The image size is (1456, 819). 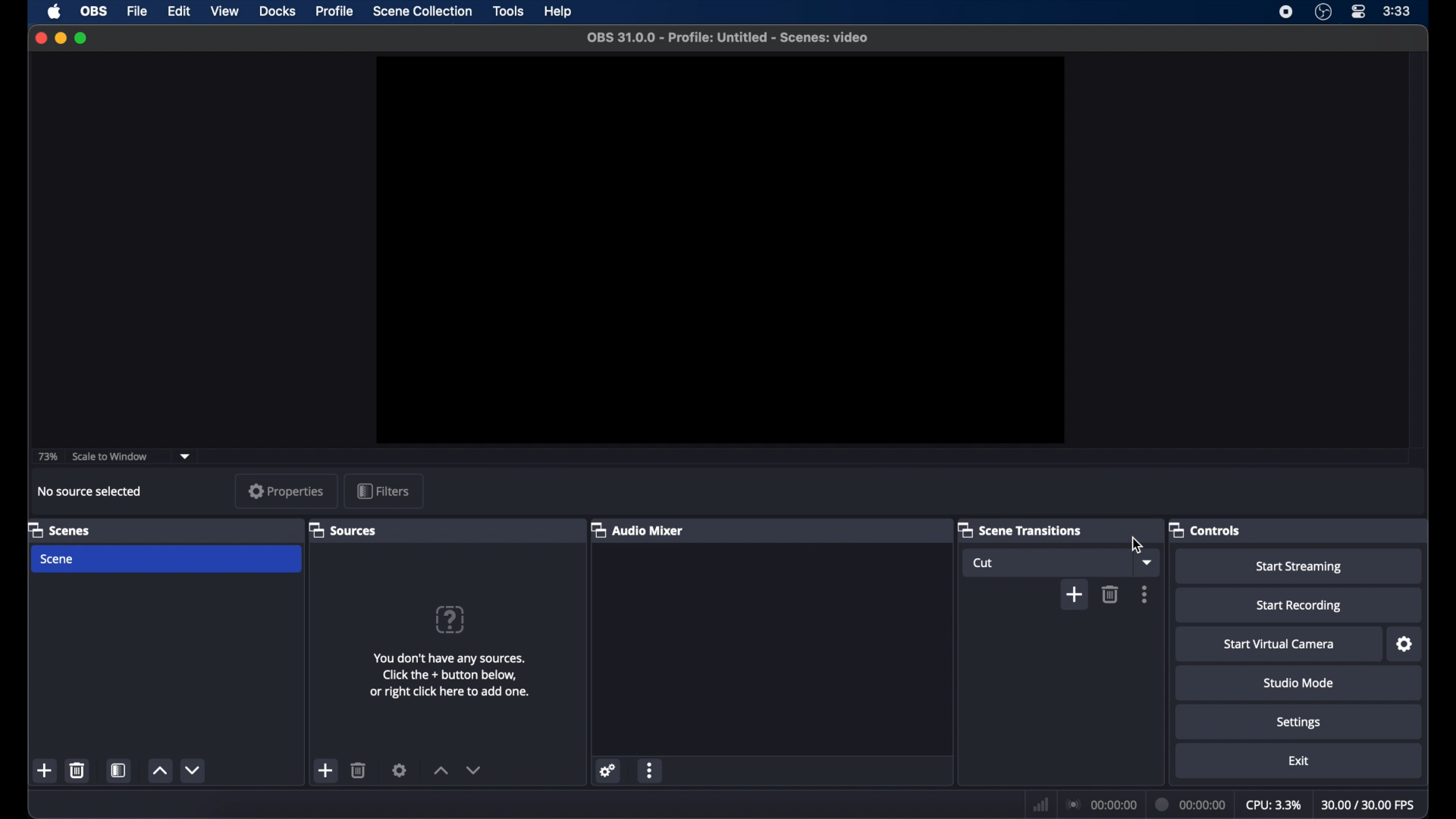 What do you see at coordinates (120, 770) in the screenshot?
I see `scene filters` at bounding box center [120, 770].